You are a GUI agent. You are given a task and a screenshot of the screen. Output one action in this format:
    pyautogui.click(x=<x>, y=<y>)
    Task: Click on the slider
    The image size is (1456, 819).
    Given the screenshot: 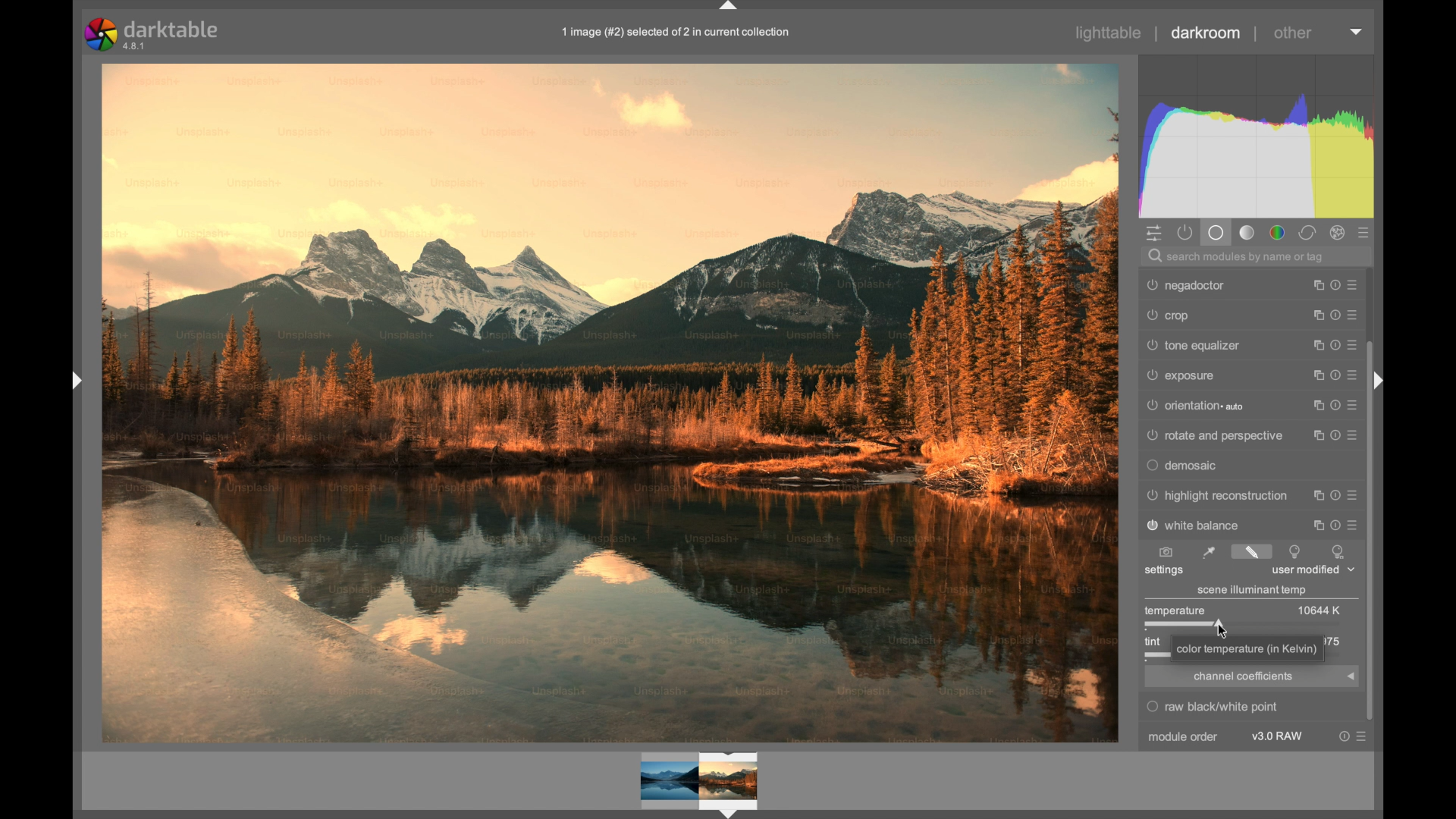 What is the action you would take?
    pyautogui.click(x=1186, y=624)
    